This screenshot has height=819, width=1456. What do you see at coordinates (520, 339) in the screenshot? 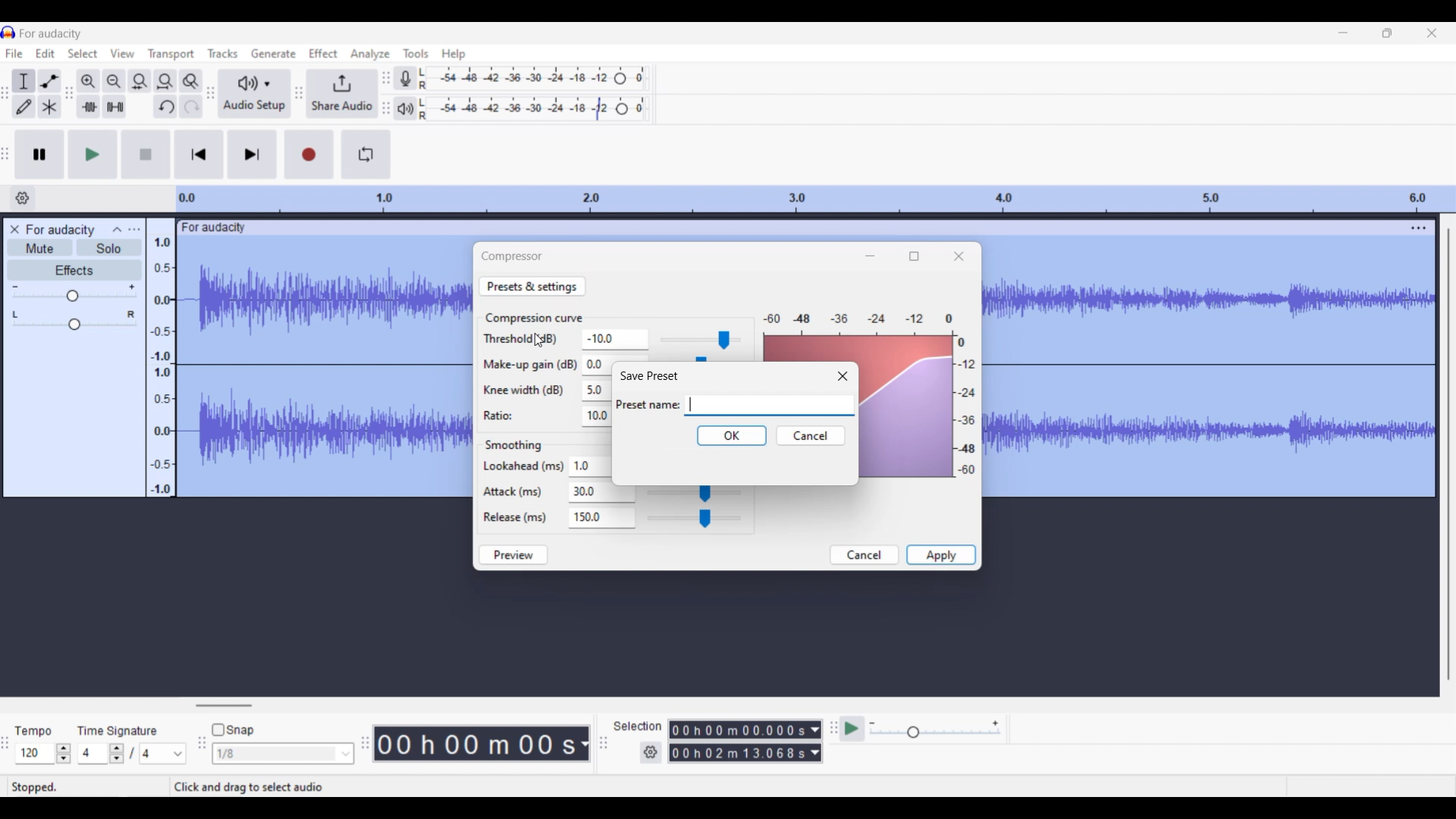
I see `Threshold` at bounding box center [520, 339].